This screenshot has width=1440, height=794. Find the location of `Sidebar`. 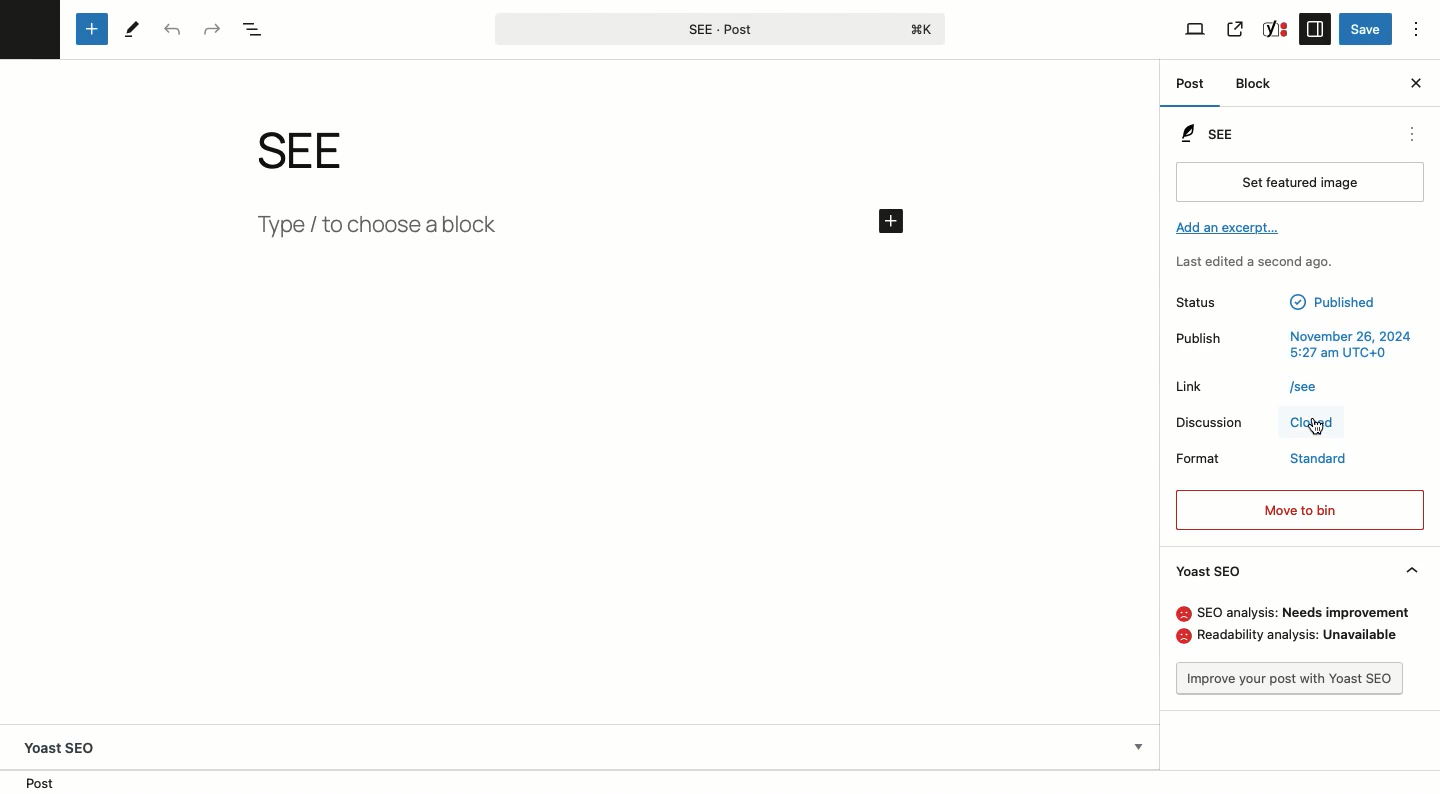

Sidebar is located at coordinates (1317, 29).